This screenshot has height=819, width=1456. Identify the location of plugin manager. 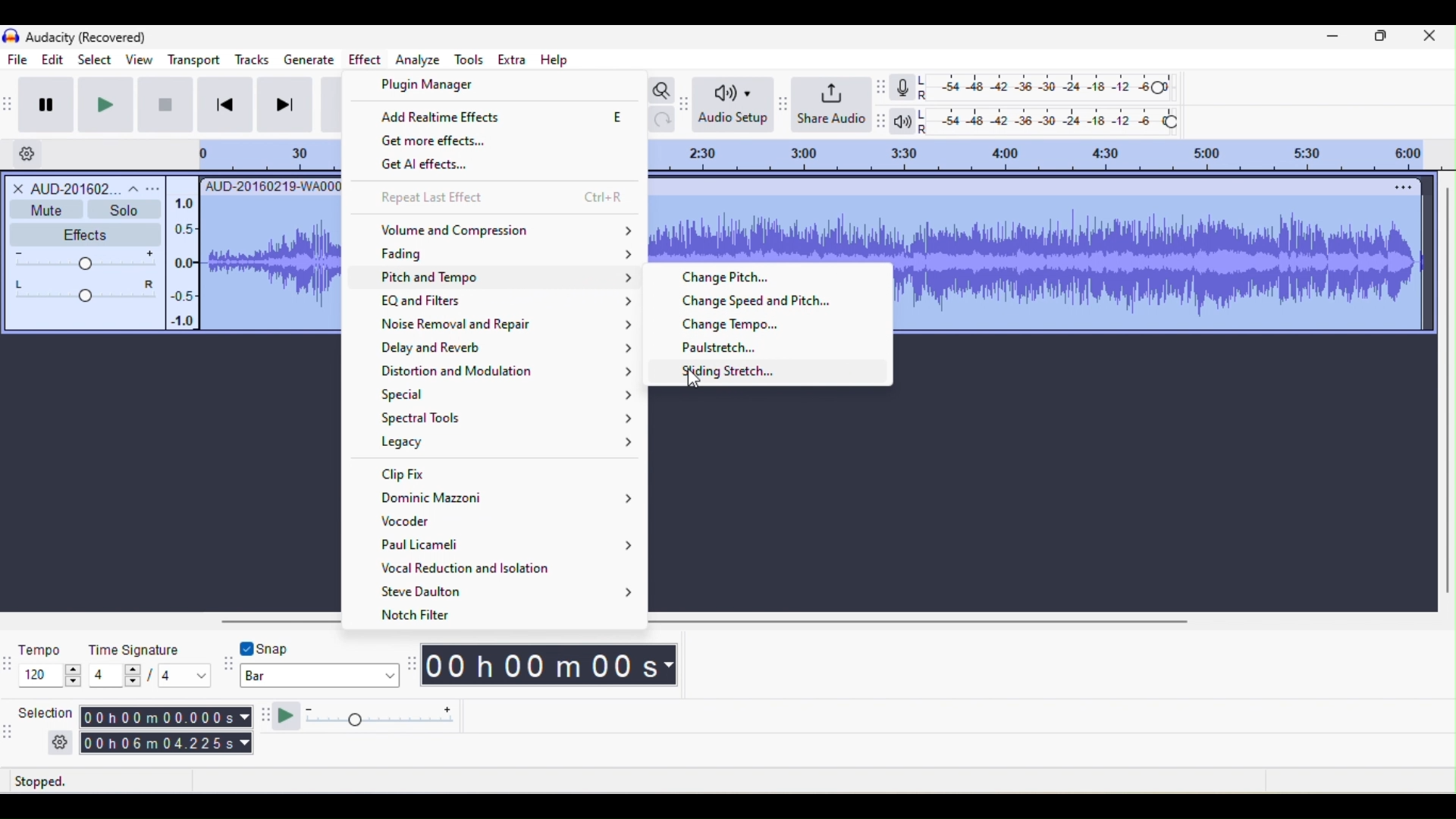
(432, 84).